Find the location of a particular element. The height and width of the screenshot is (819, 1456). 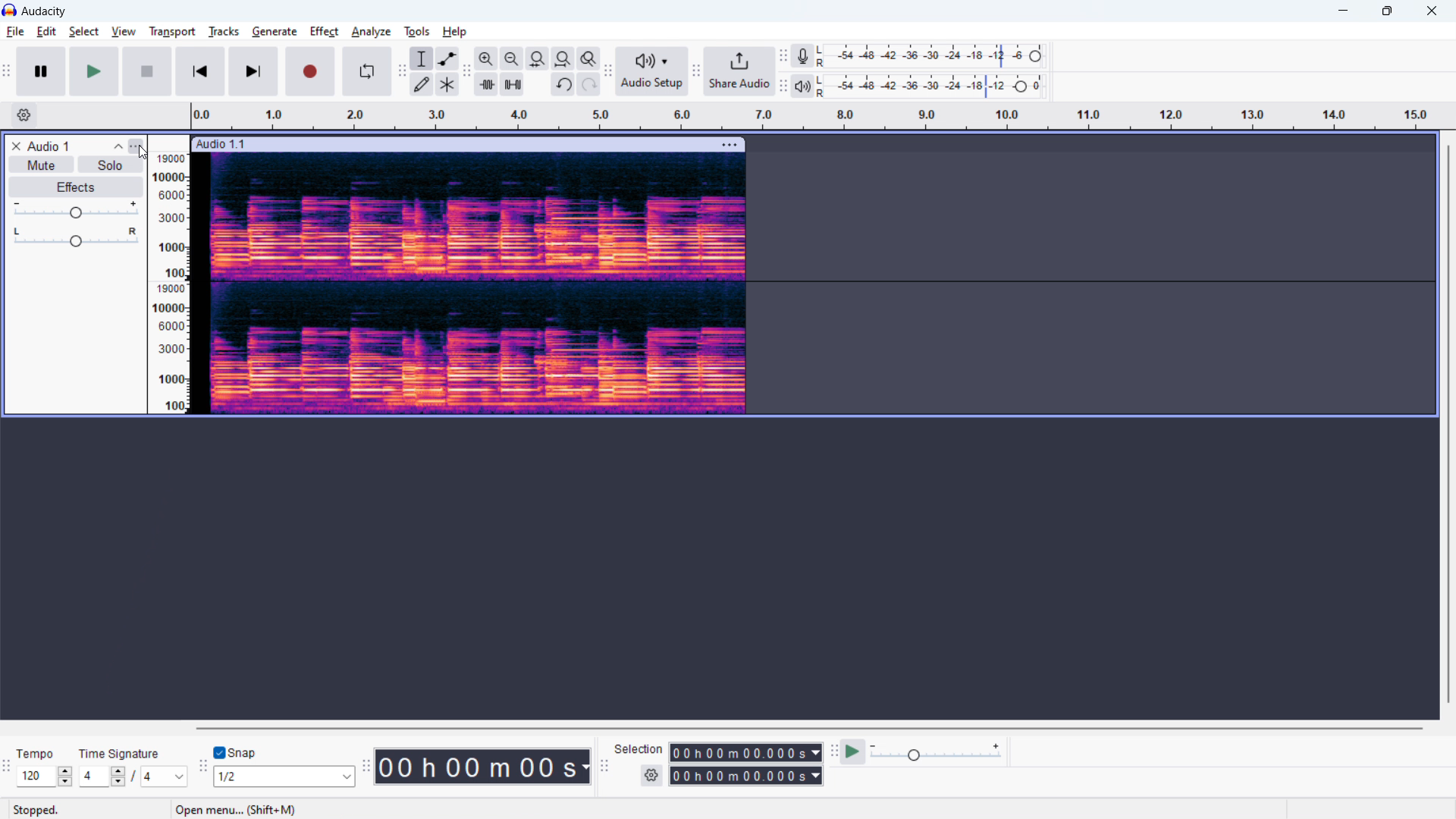

playback level is located at coordinates (936, 86).